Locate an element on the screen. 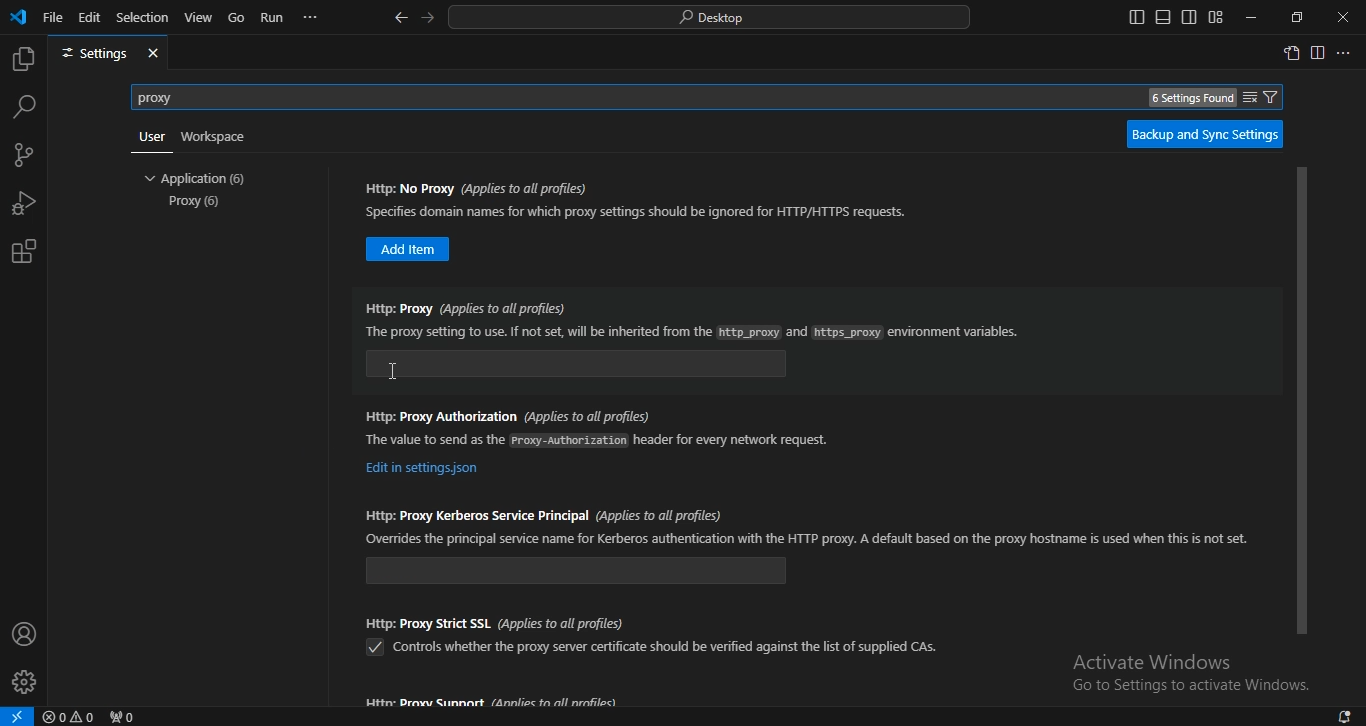 This screenshot has height=726, width=1366. text is located at coordinates (1154, 661).